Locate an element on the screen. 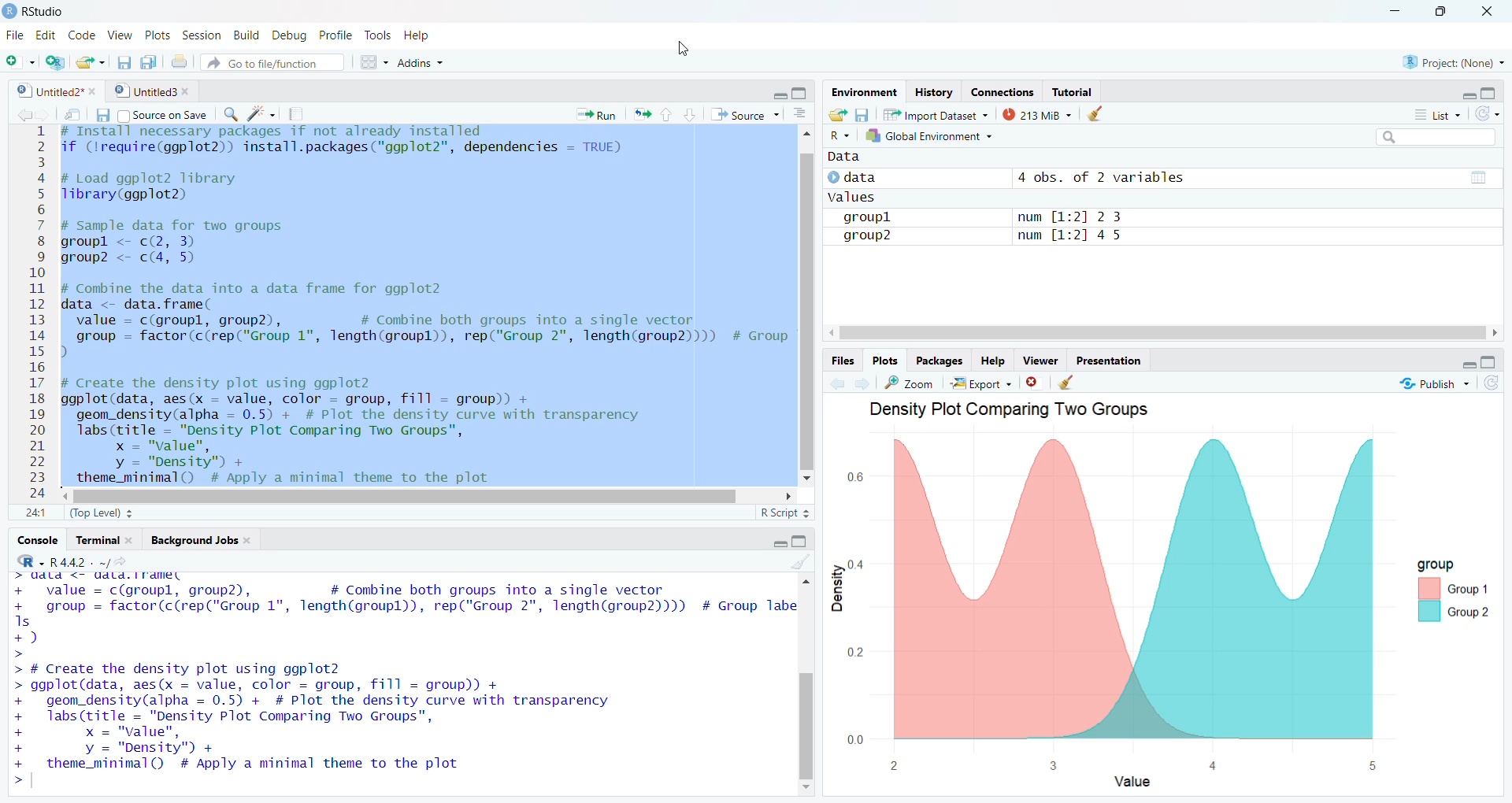  packages is located at coordinates (935, 361).